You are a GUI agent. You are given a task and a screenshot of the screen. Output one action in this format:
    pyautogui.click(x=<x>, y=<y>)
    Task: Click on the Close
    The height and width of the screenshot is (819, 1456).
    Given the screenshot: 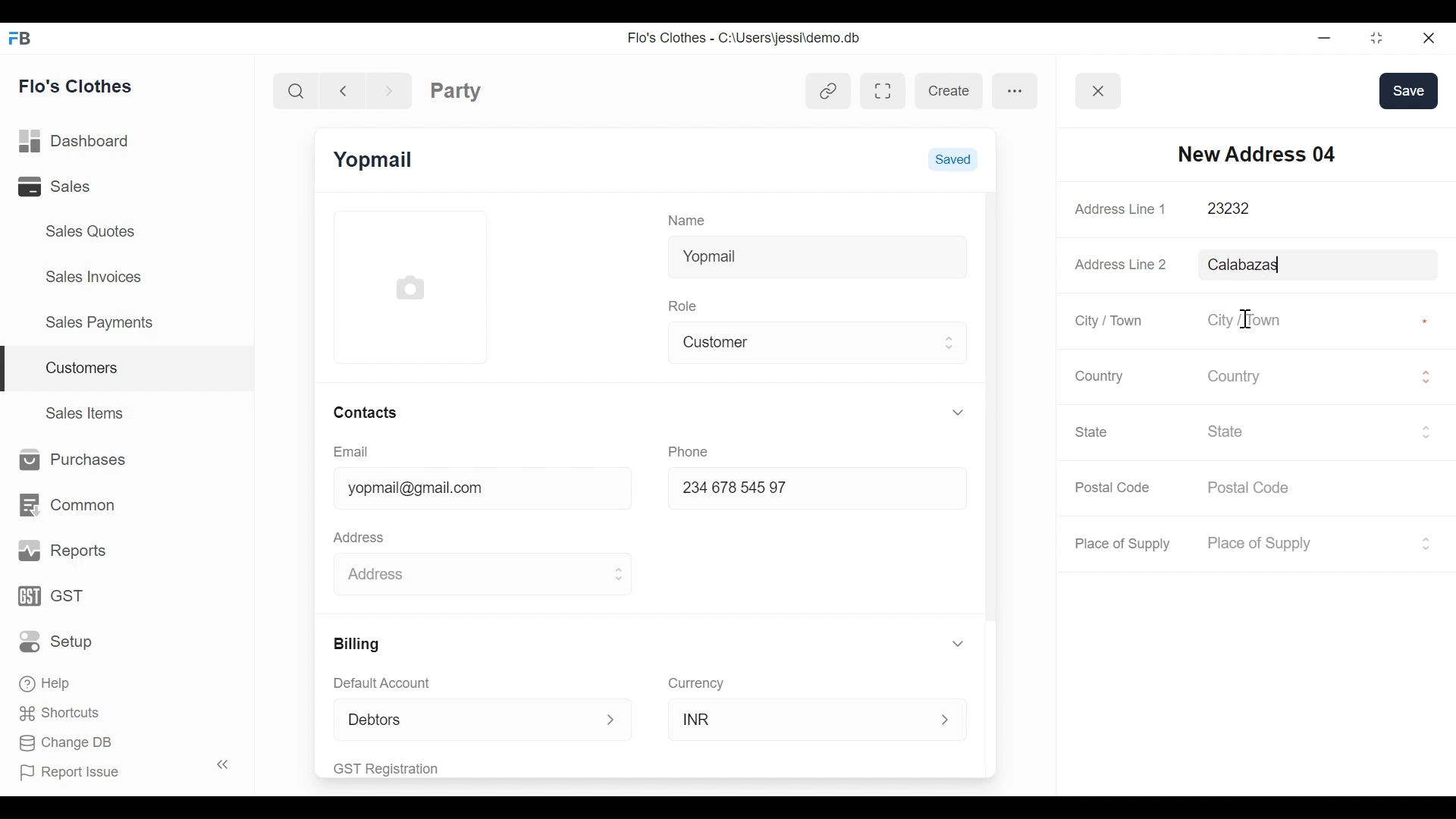 What is the action you would take?
    pyautogui.click(x=1426, y=37)
    